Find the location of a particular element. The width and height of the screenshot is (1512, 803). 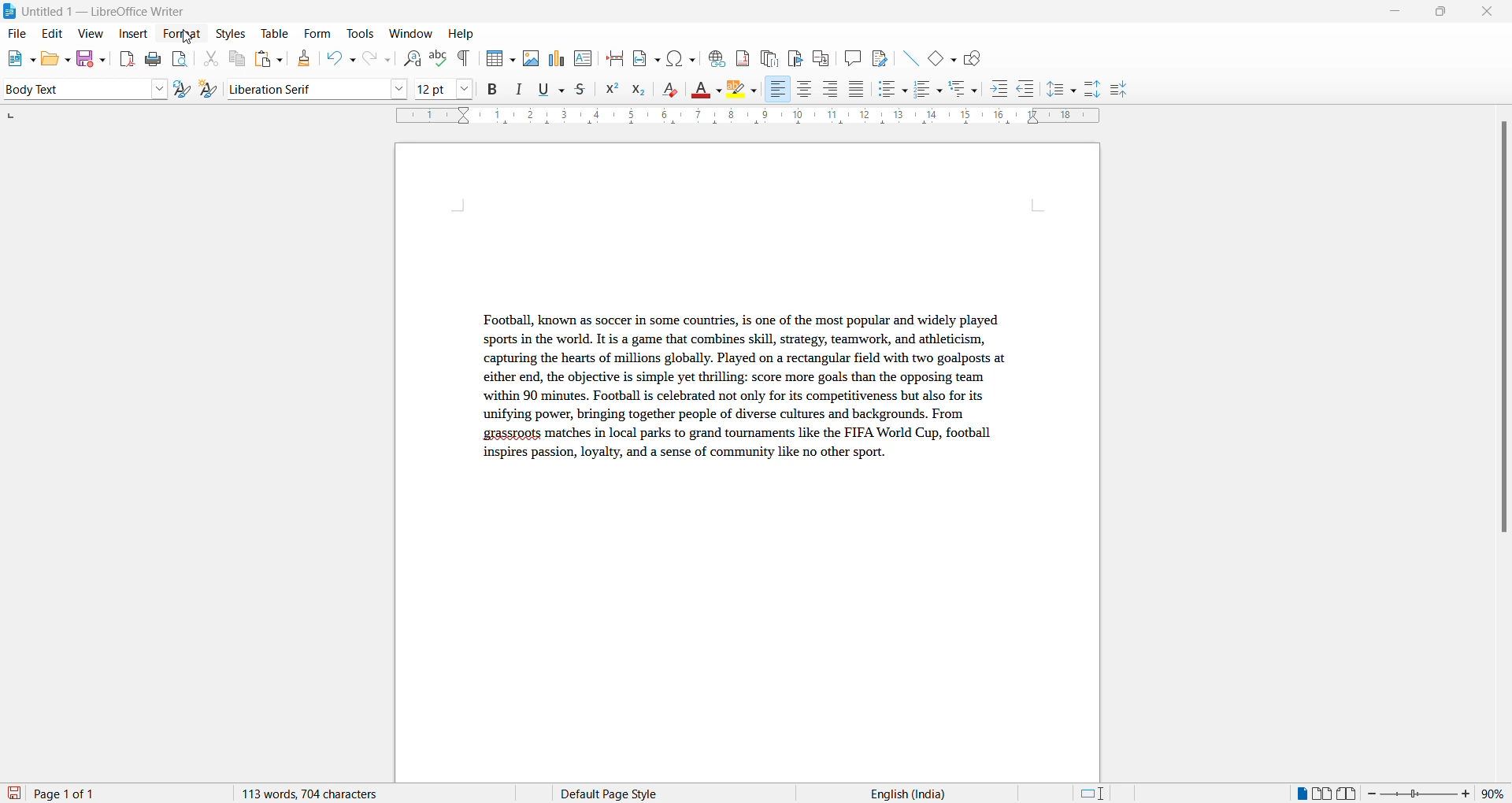

undo is located at coordinates (338, 58).